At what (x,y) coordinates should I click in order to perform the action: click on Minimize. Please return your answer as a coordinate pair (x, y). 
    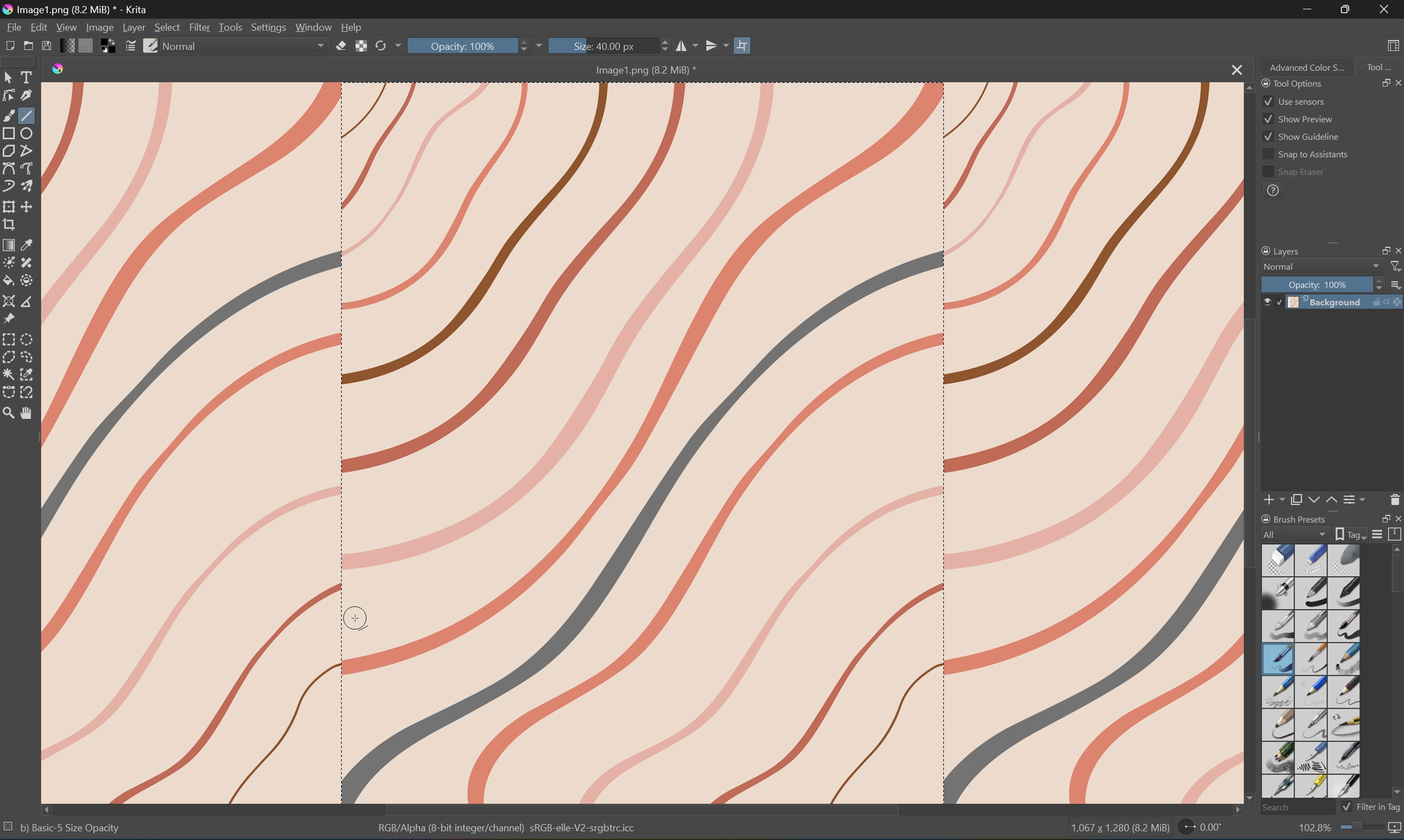
    Looking at the image, I should click on (1308, 10).